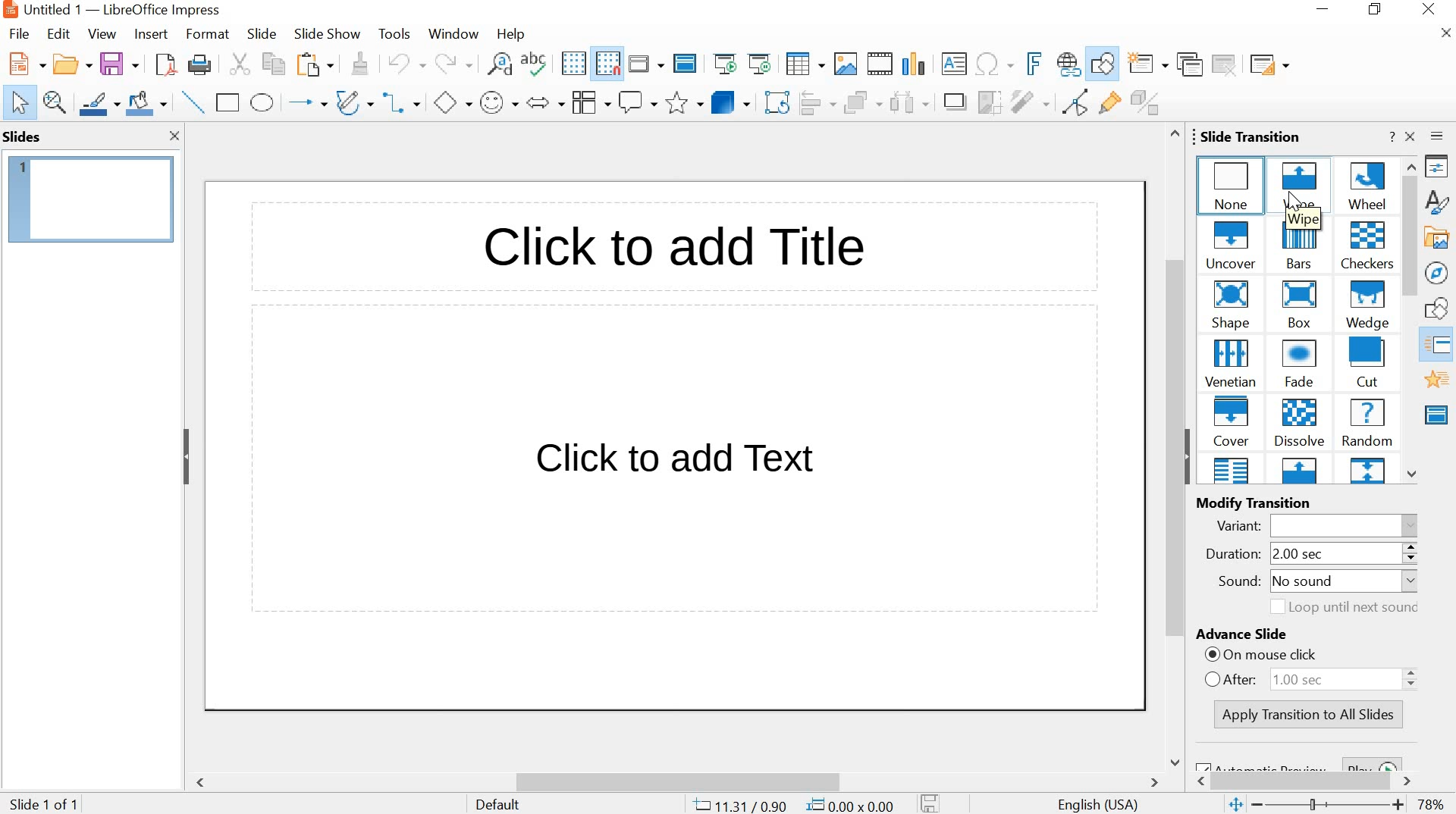  Describe the element at coordinates (59, 33) in the screenshot. I see `EDIT` at that location.